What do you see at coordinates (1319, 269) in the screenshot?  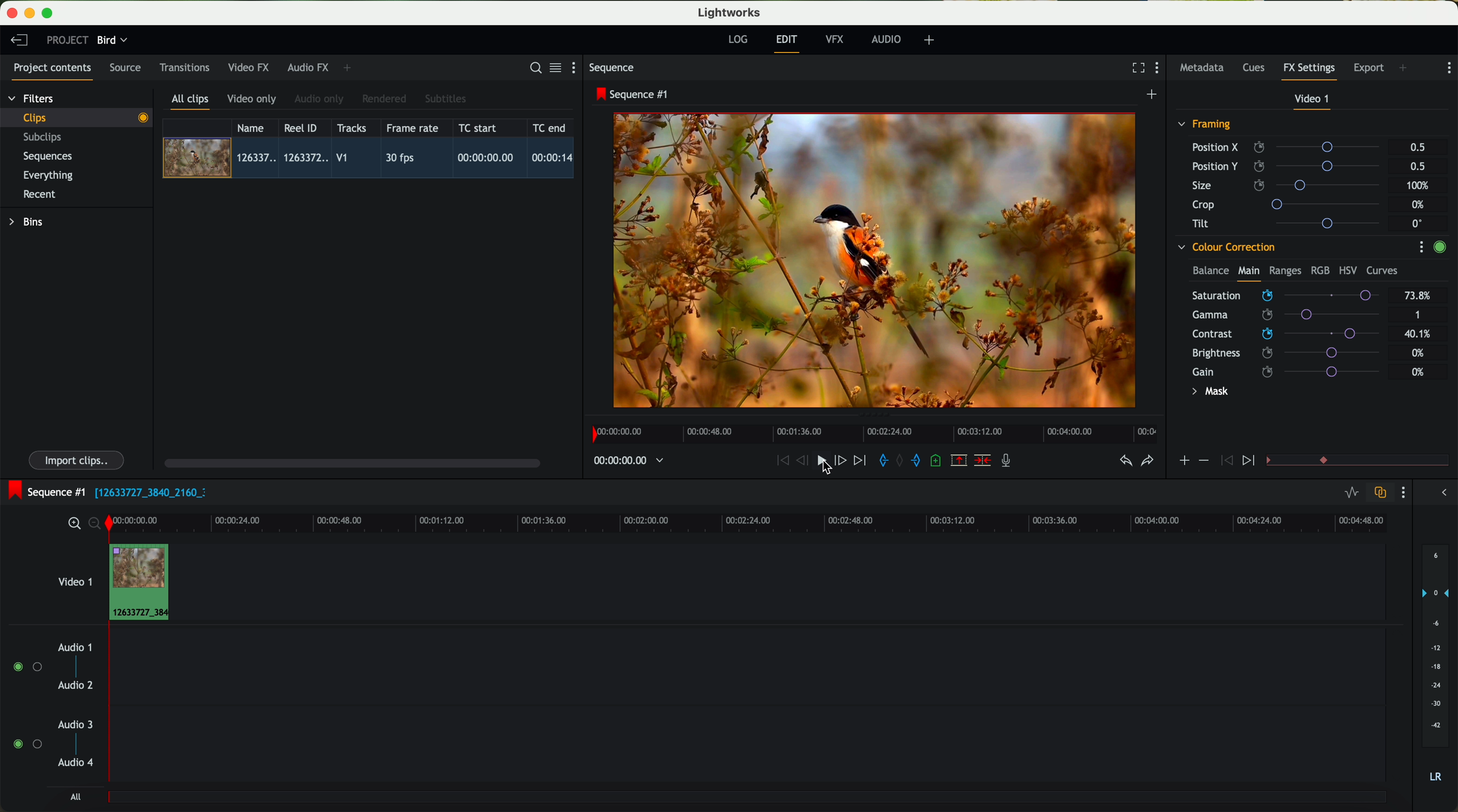 I see `RGB` at bounding box center [1319, 269].